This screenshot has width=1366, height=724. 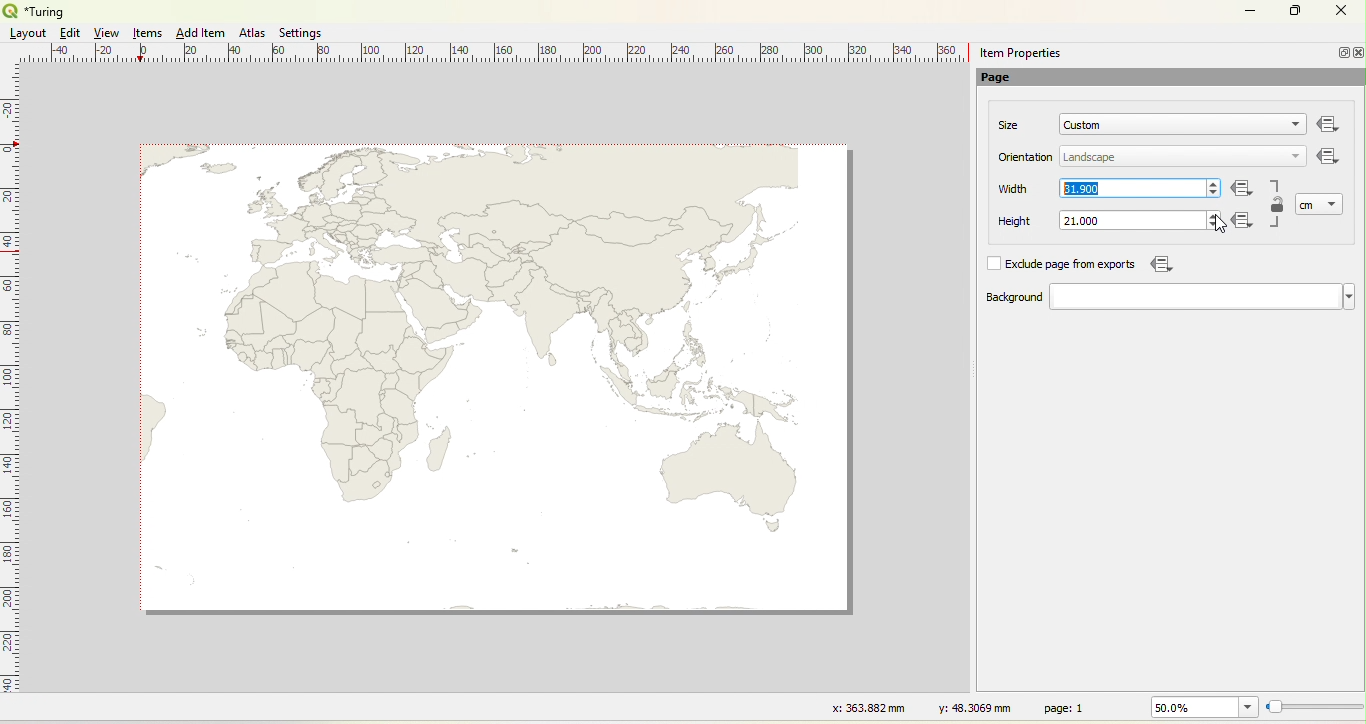 What do you see at coordinates (1006, 79) in the screenshot?
I see `Page` at bounding box center [1006, 79].